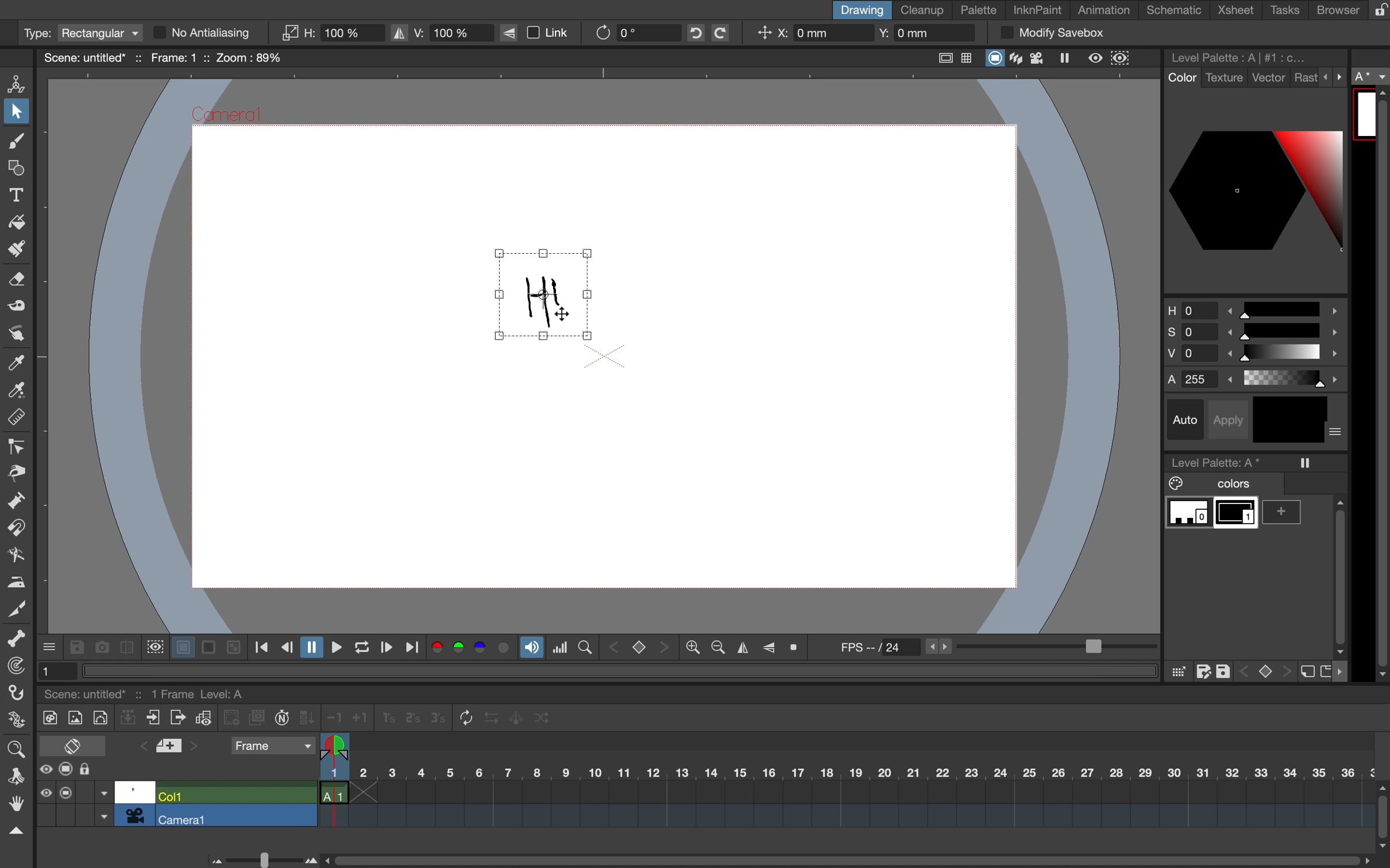 This screenshot has width=1390, height=868. Describe the element at coordinates (967, 59) in the screenshot. I see `field guide` at that location.